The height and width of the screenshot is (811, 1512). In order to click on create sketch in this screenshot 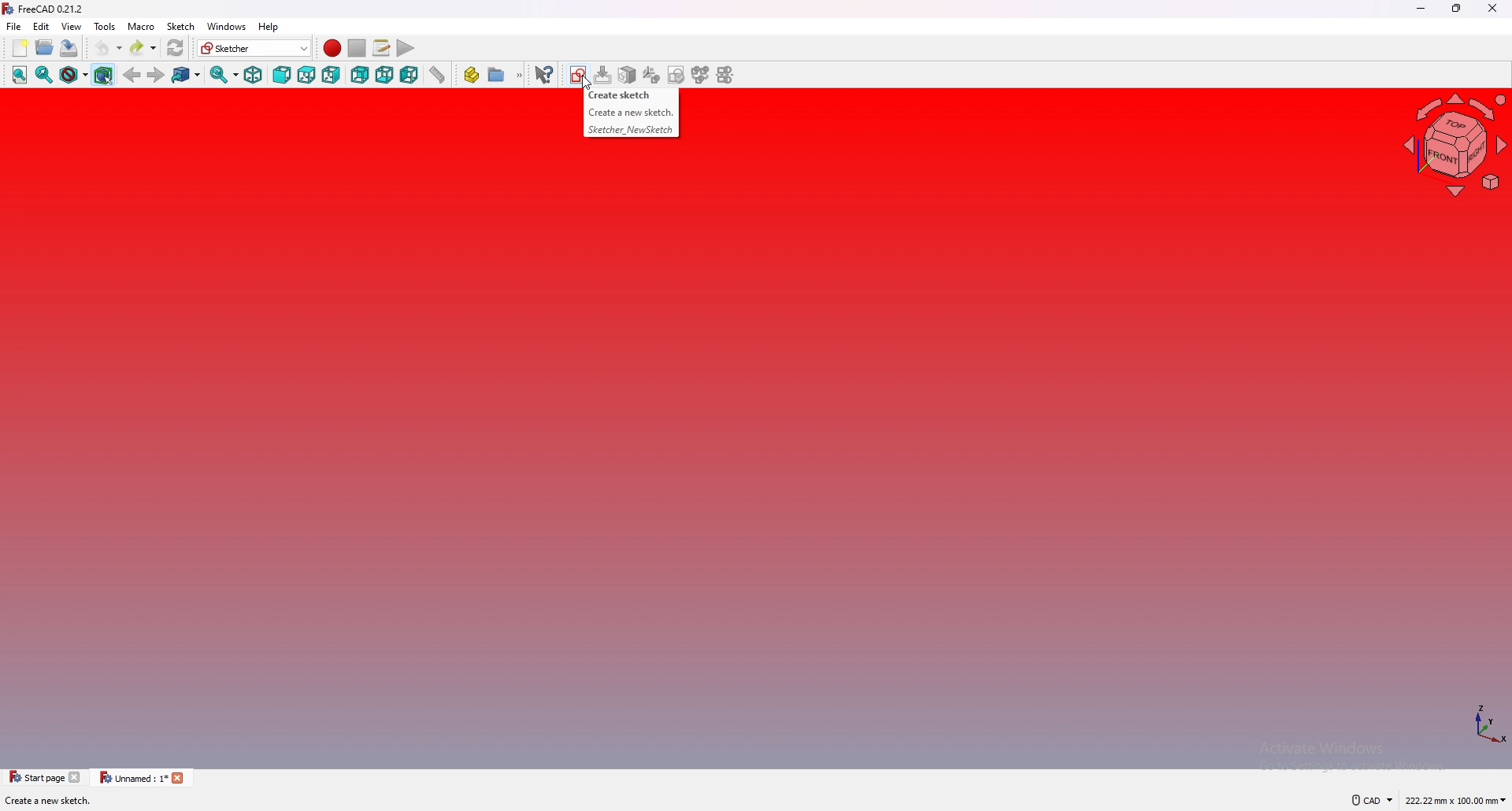, I will do `click(580, 74)`.